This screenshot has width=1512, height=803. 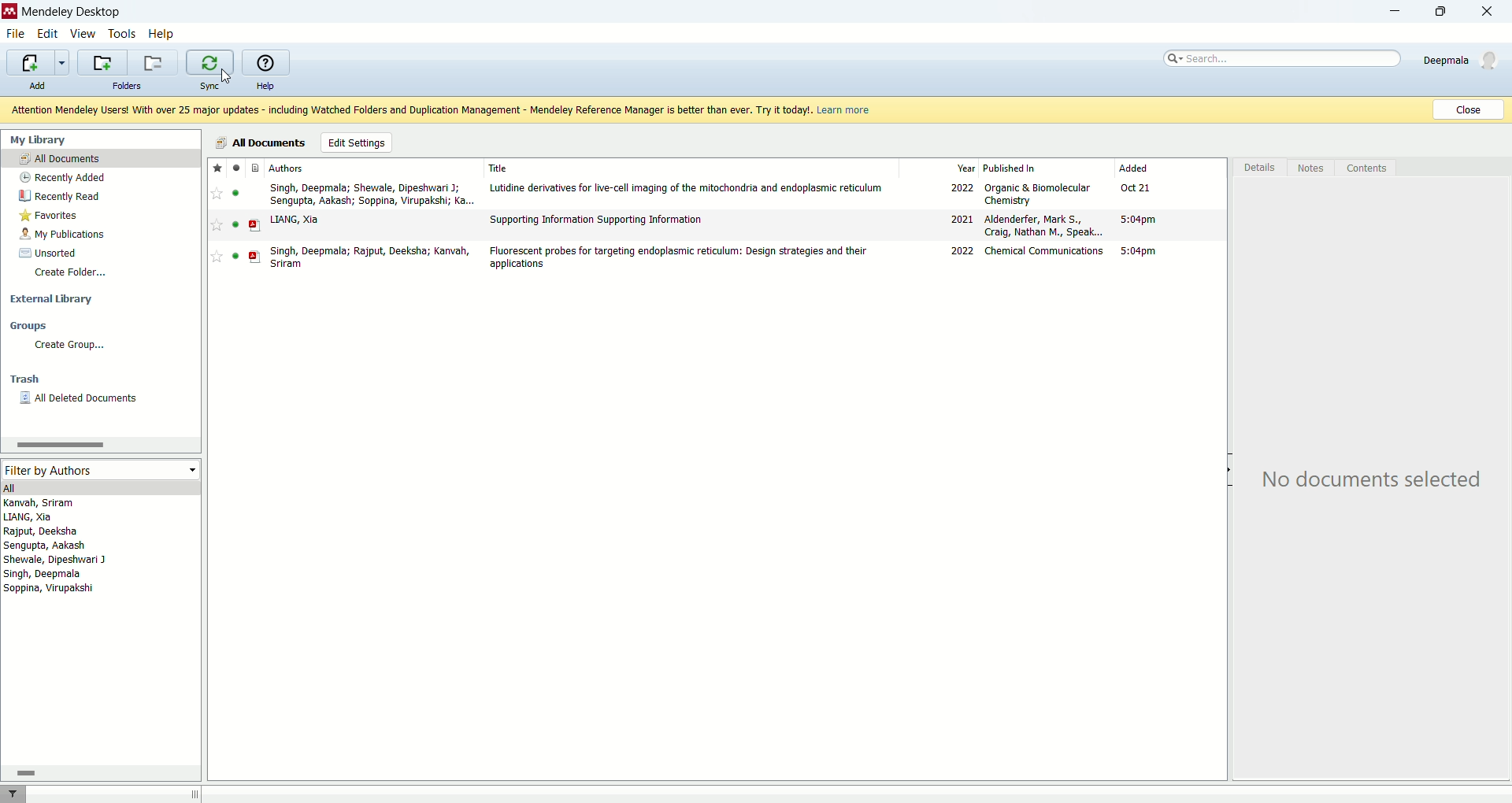 I want to click on remove current folder, so click(x=154, y=62).